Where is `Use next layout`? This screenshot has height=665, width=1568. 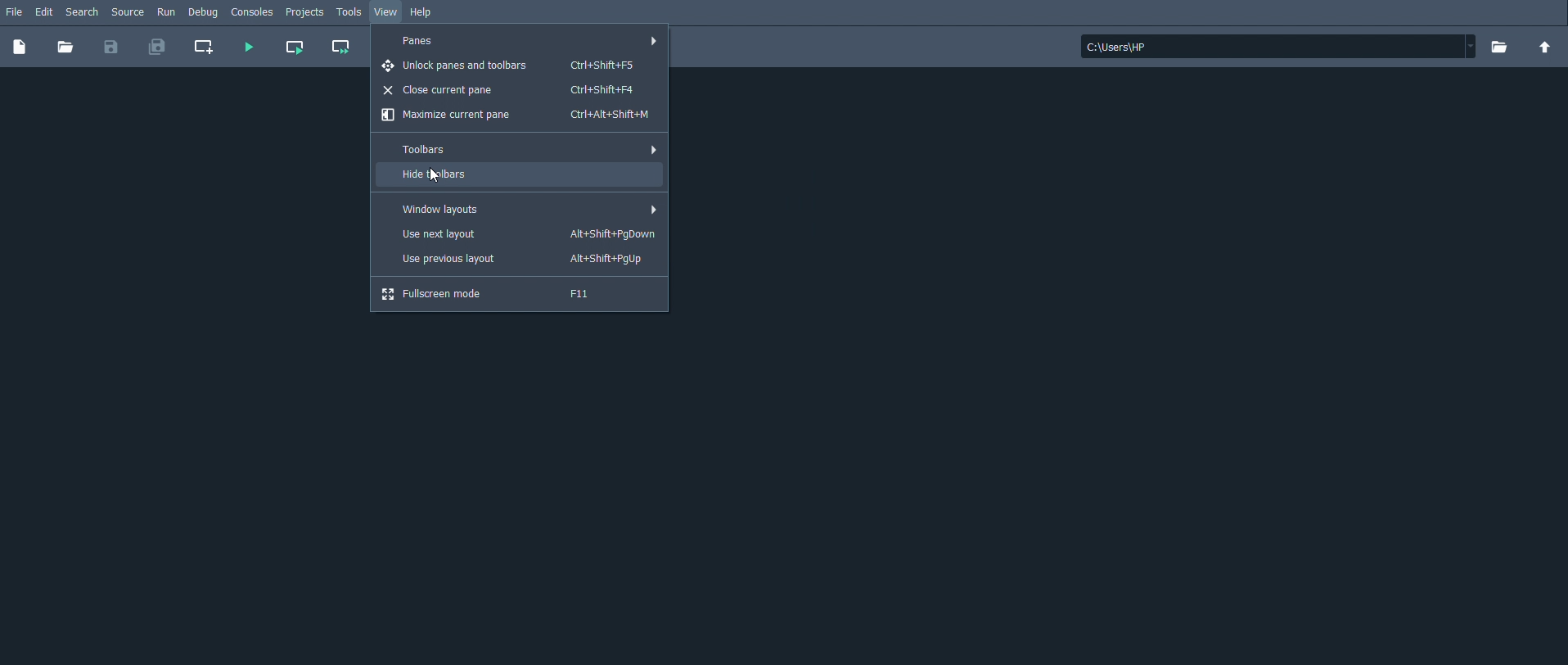 Use next layout is located at coordinates (524, 233).